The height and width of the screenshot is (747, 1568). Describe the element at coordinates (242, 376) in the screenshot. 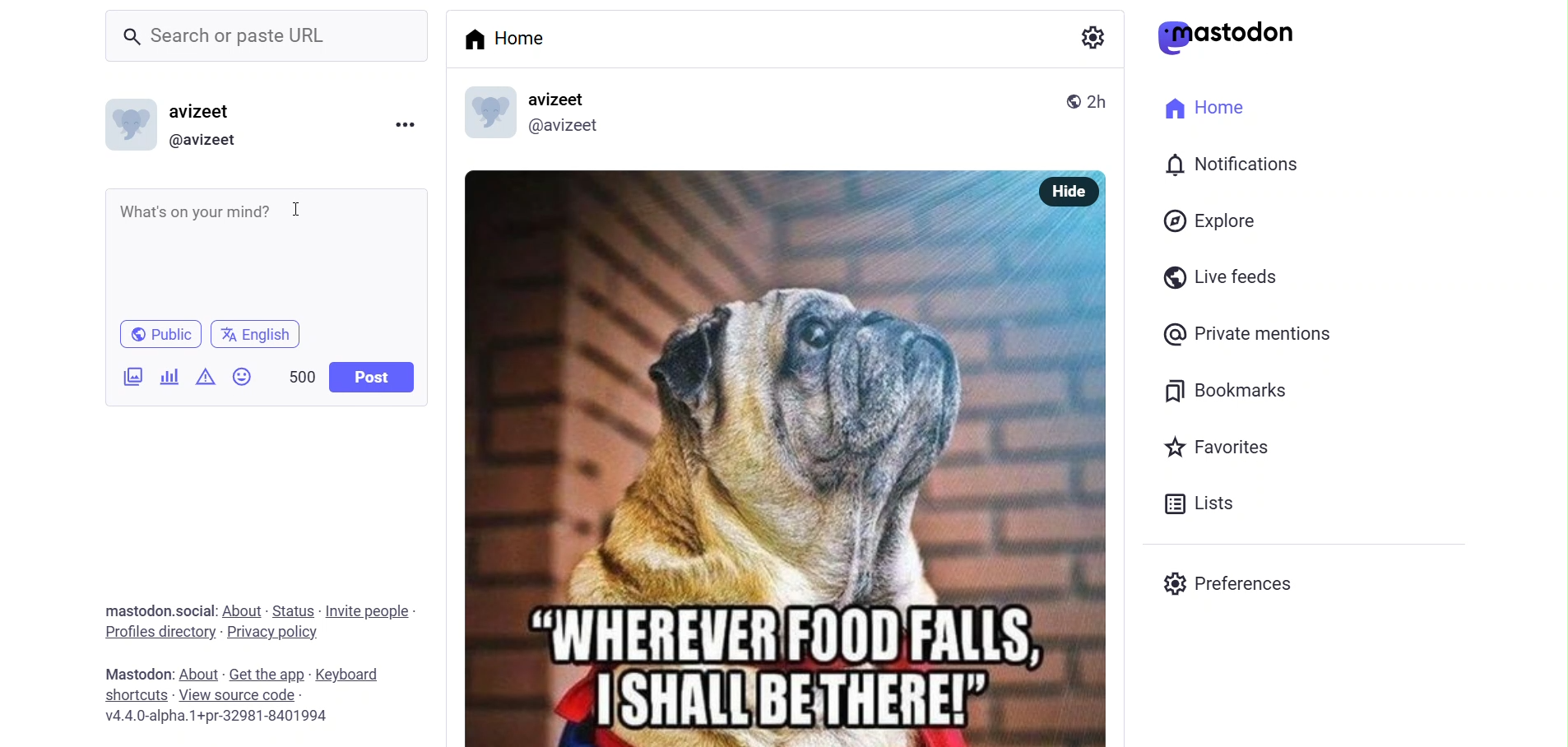

I see `emoji` at that location.